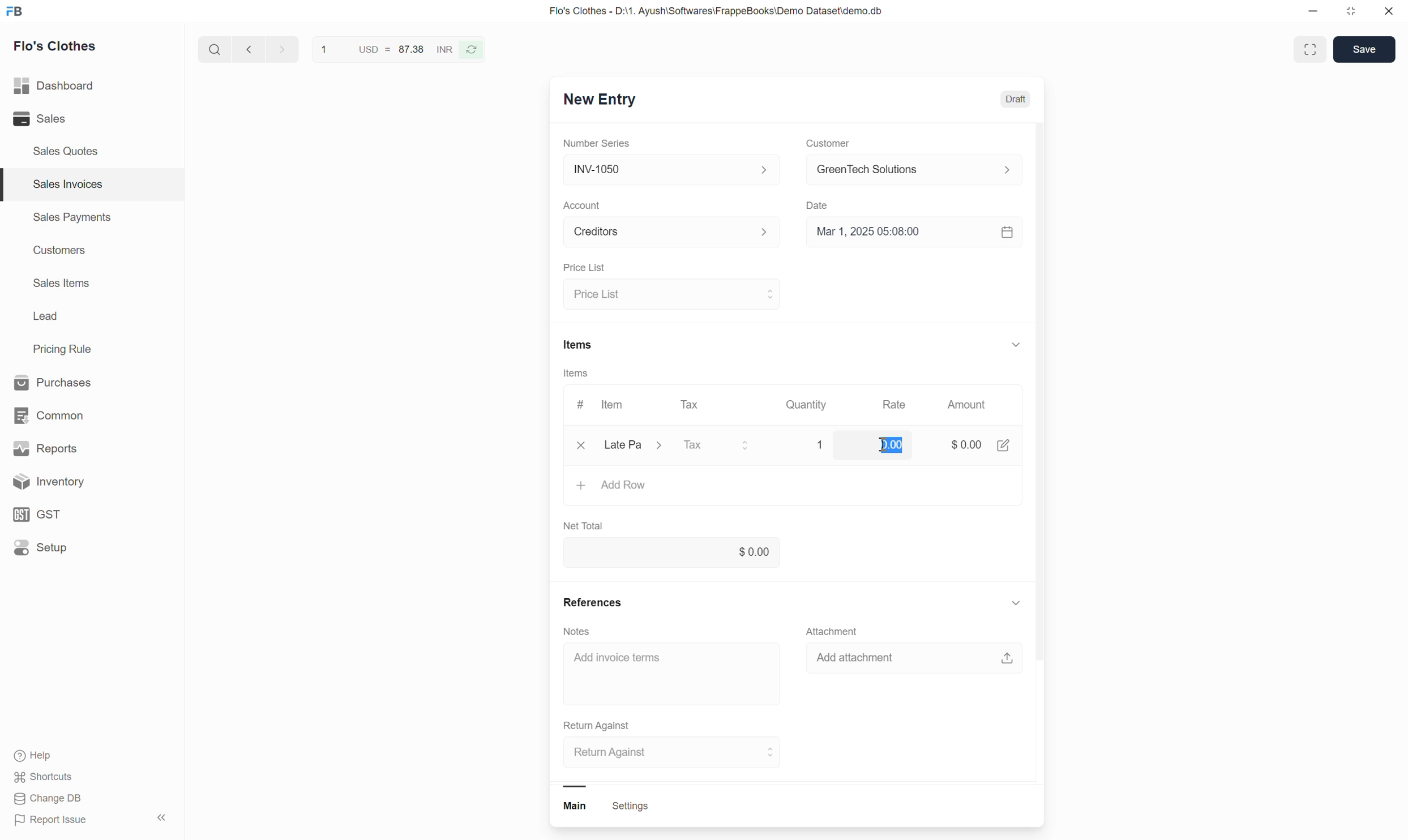  What do you see at coordinates (62, 284) in the screenshot?
I see `Sales Items` at bounding box center [62, 284].